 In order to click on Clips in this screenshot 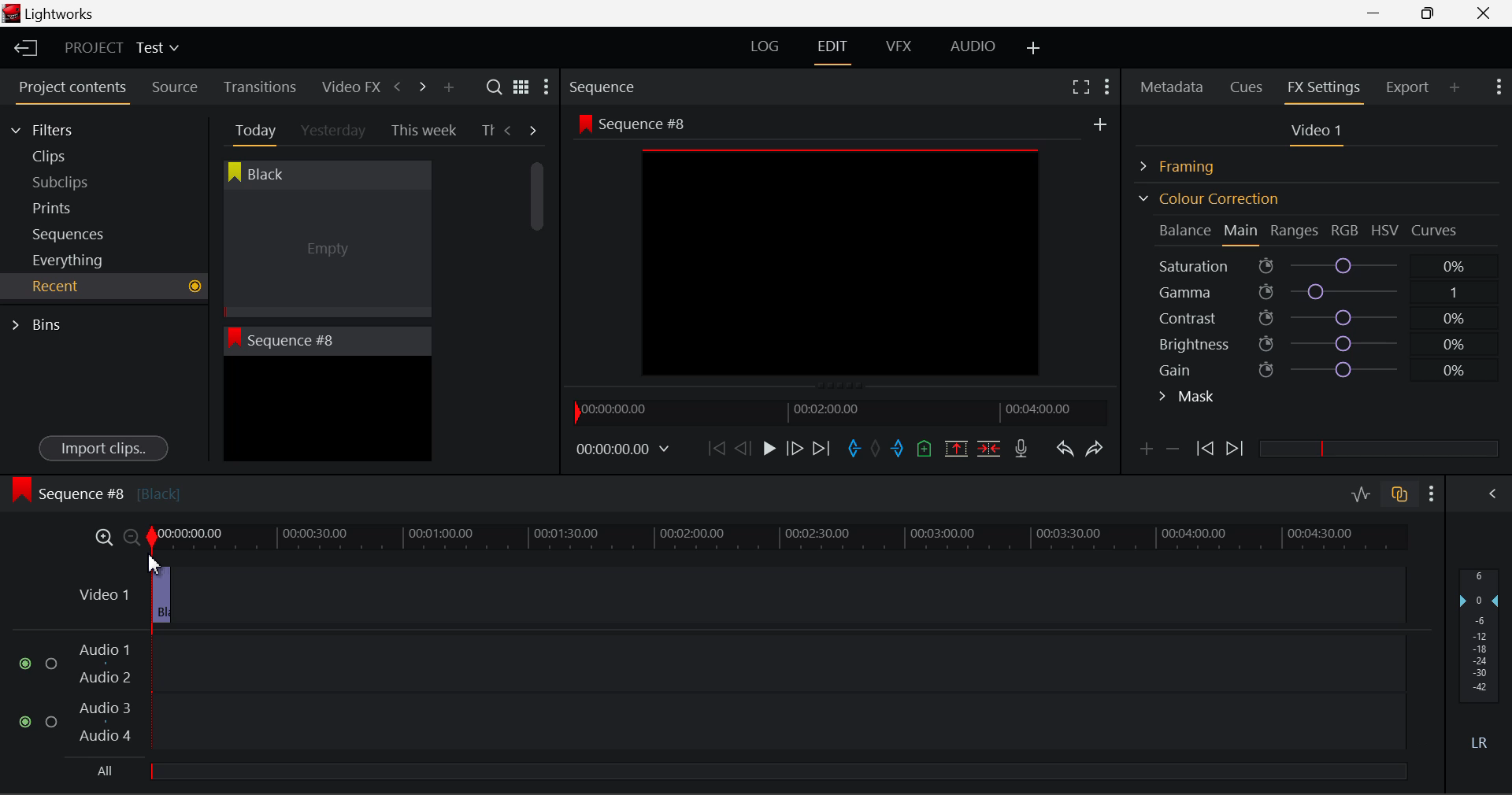, I will do `click(77, 156)`.